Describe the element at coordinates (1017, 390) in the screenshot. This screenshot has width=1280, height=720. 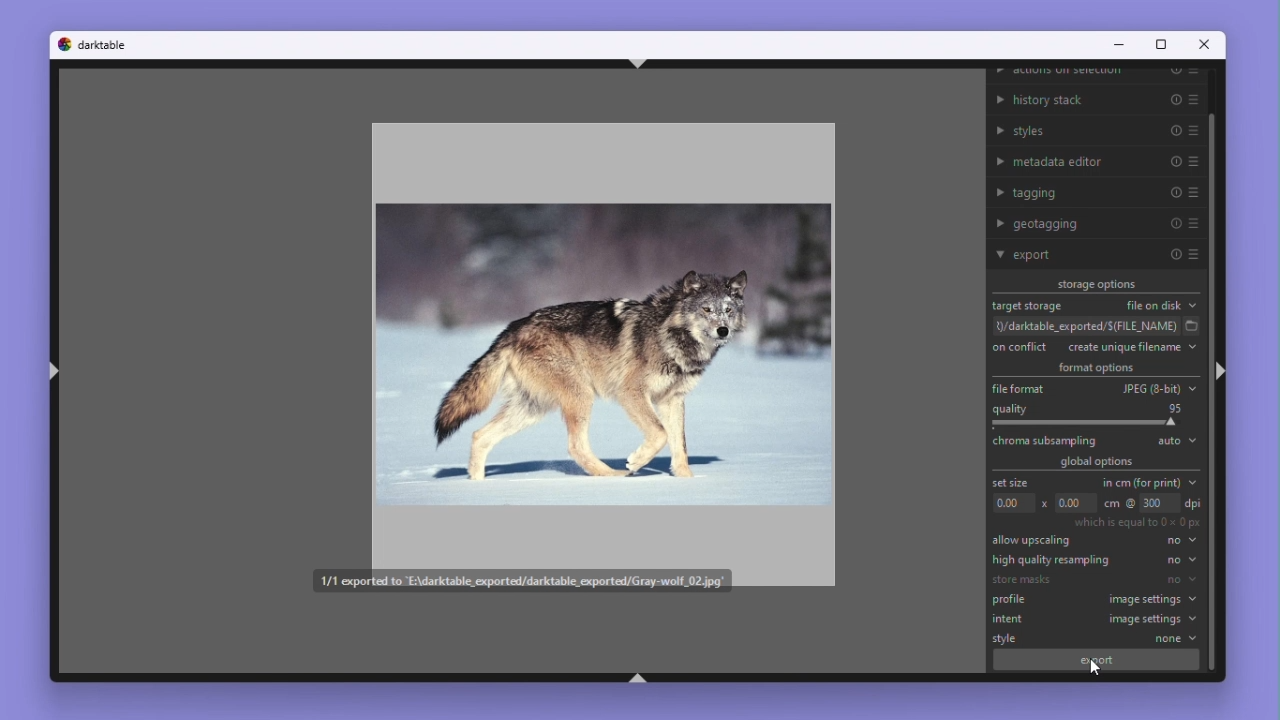
I see `File format` at that location.